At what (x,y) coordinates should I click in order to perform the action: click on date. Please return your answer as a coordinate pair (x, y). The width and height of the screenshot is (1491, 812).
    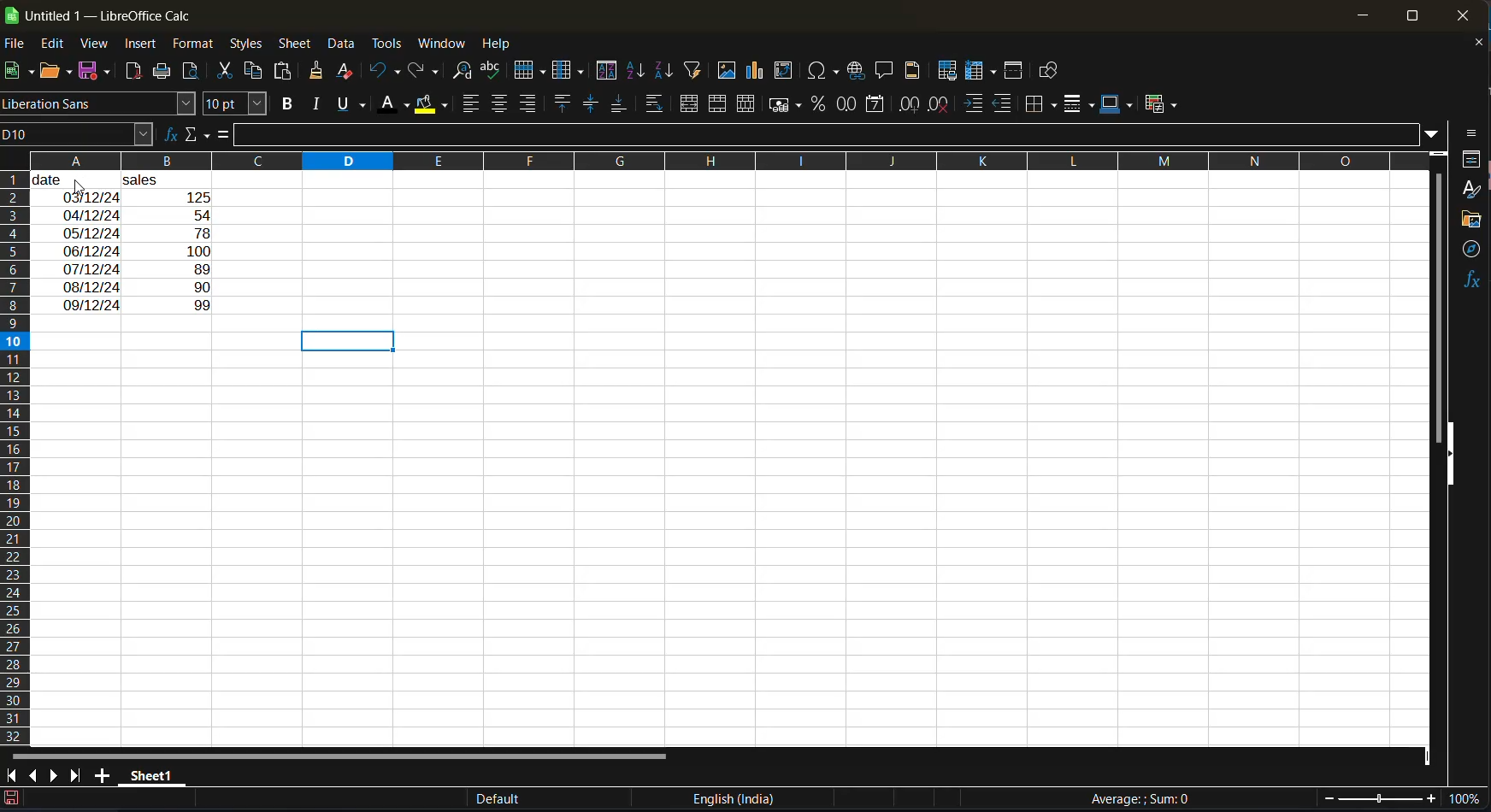
    Looking at the image, I should click on (69, 179).